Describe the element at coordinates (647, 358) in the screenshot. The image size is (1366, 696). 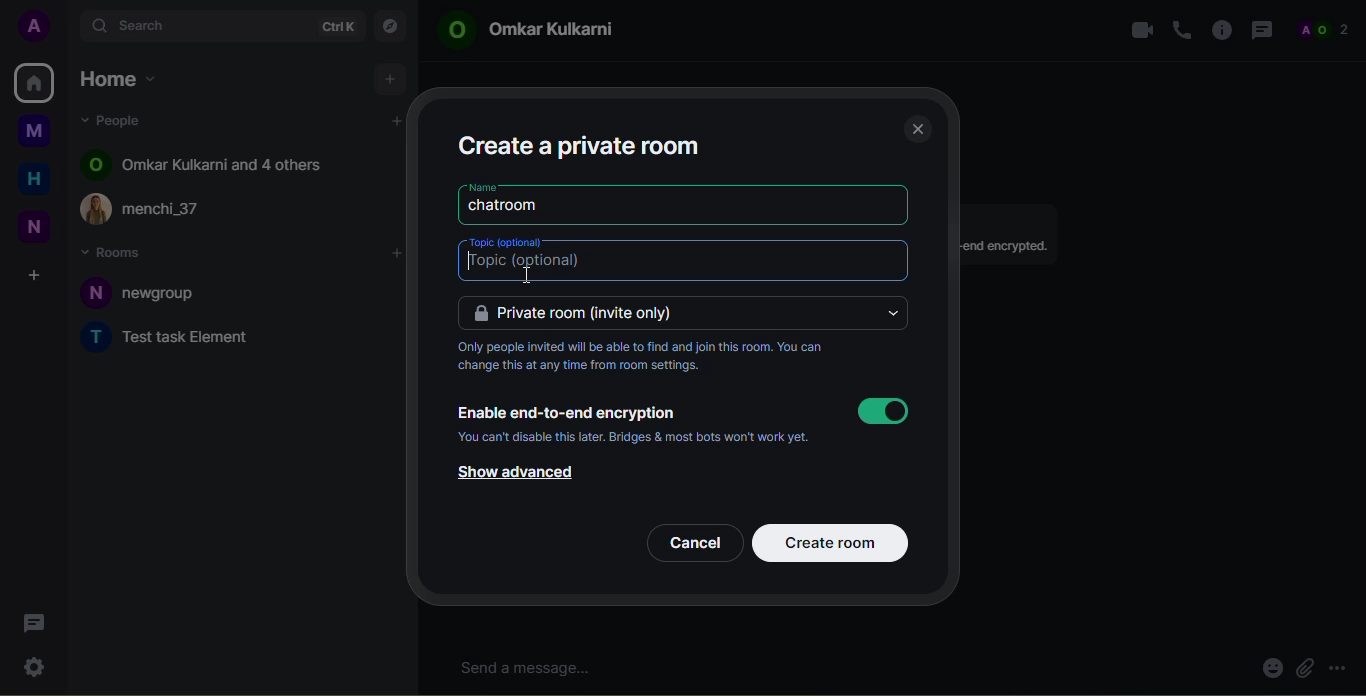
I see `Only people invited will be able to find and join this room. You can
change this at any time from room settings.` at that location.